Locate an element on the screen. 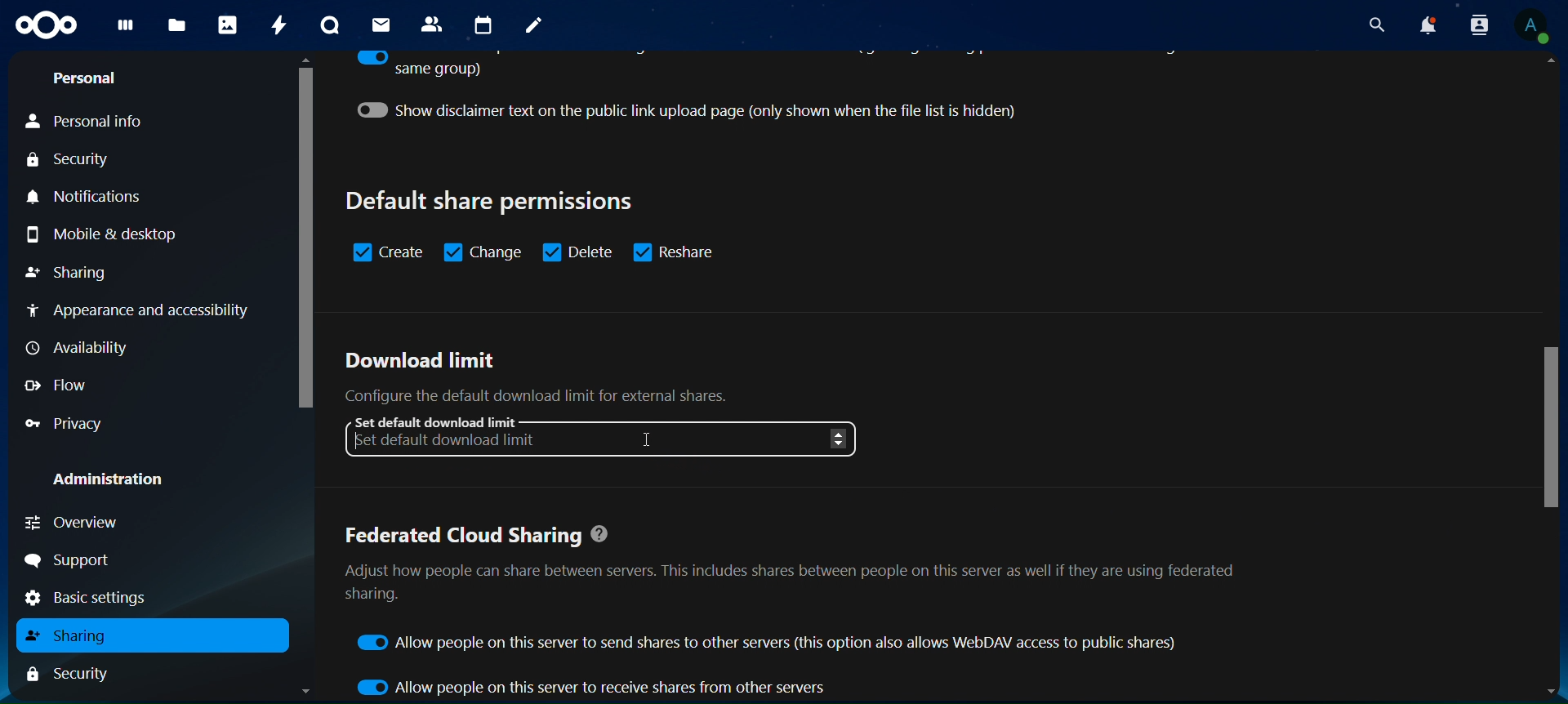 The image size is (1568, 704). allow people on this server to receive shares from others servers is located at coordinates (593, 686).